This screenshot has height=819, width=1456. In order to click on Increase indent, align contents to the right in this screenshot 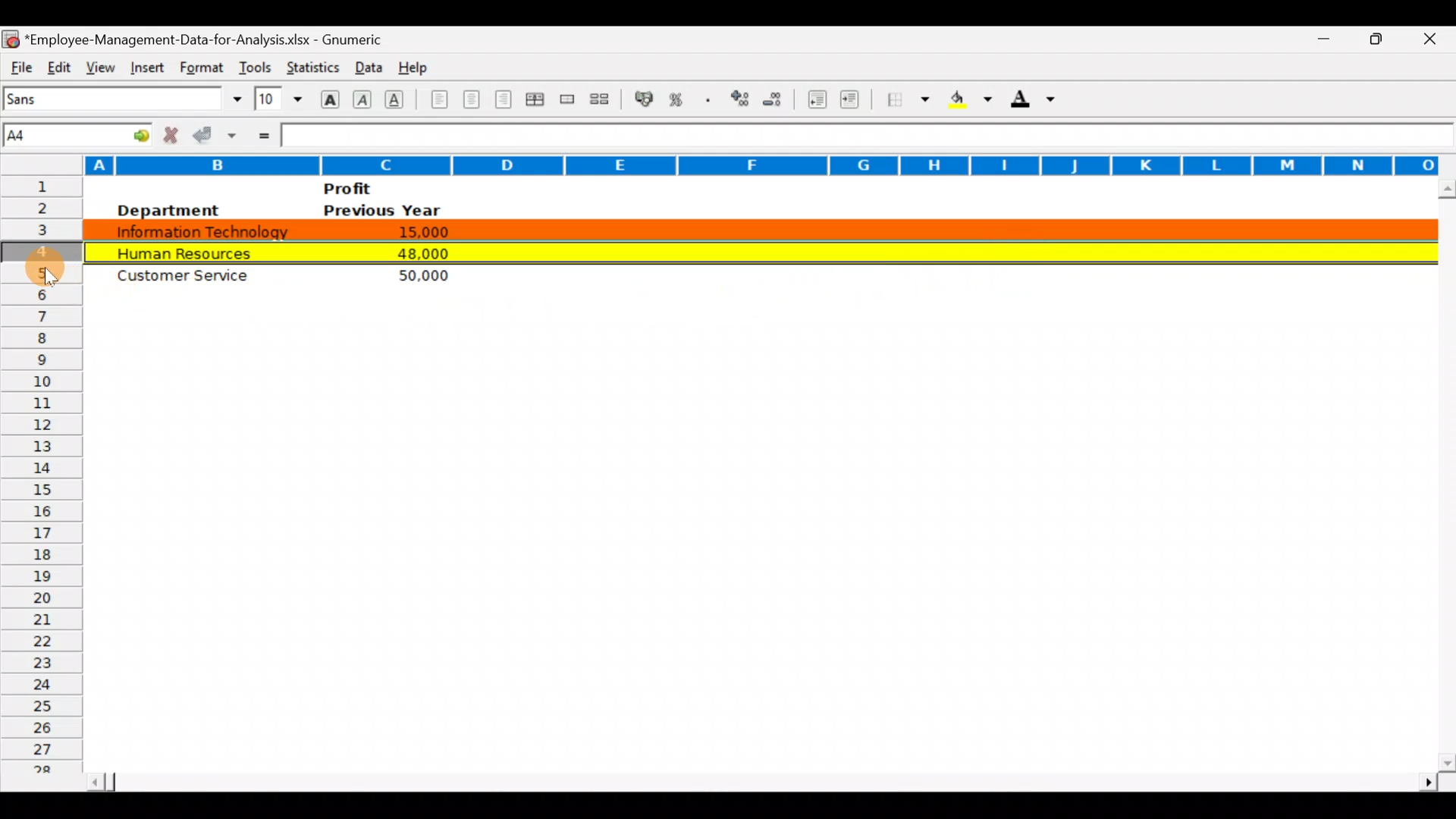, I will do `click(852, 101)`.